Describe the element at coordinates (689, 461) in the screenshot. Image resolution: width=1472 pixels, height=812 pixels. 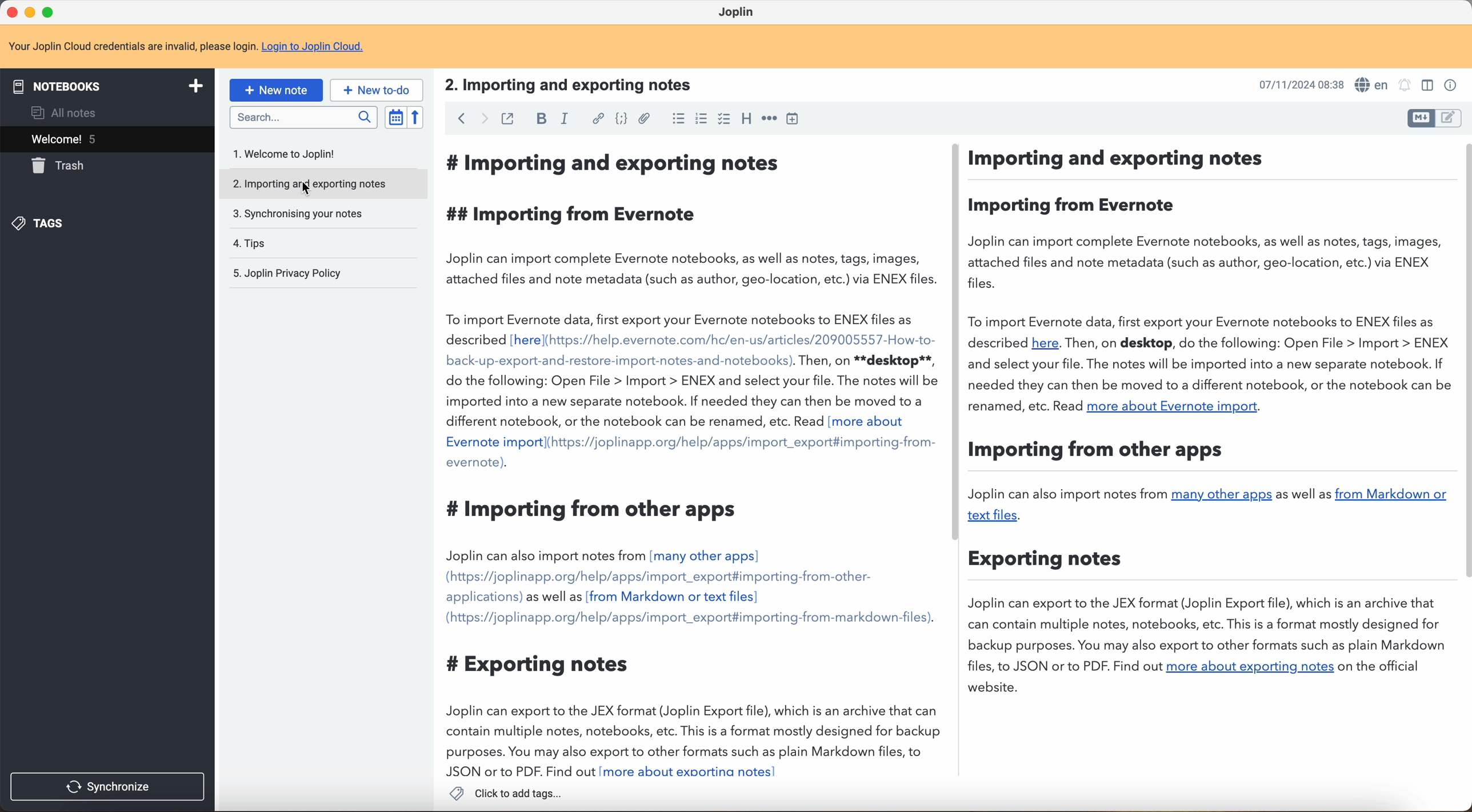
I see `Importing and exporting notes: Joplin can import complete Evernote notebooks, as well as notes, tags, images, attached files and note metadata (such as as author, geo-location, etc) vía ENEX files. To import Evernote data, first export your Evernote notebooks to ENEX files aside described (here)…` at that location.